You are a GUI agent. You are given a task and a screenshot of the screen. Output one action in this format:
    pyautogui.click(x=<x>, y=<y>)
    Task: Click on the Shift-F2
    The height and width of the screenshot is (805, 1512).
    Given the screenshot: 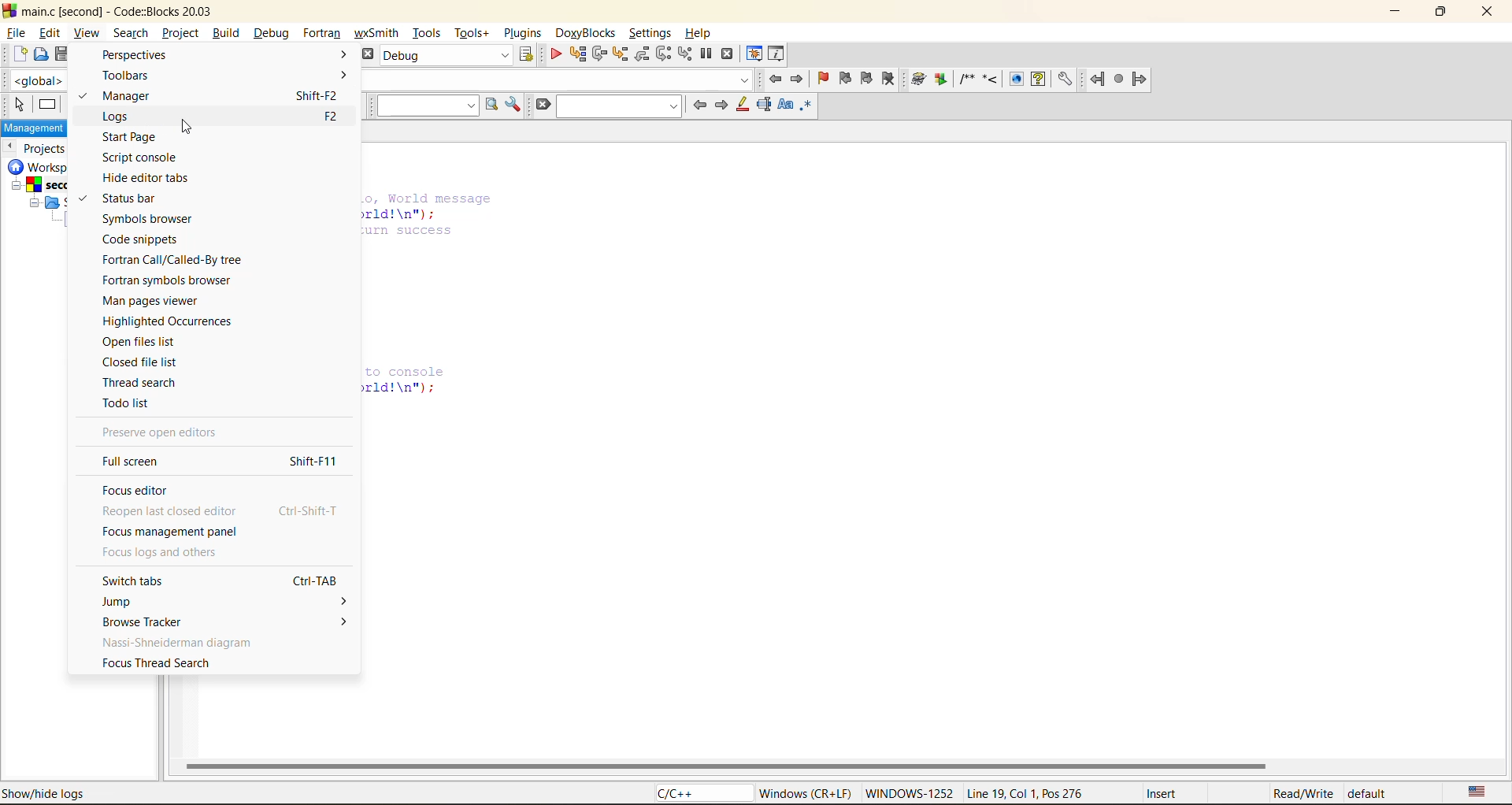 What is the action you would take?
    pyautogui.click(x=317, y=96)
    